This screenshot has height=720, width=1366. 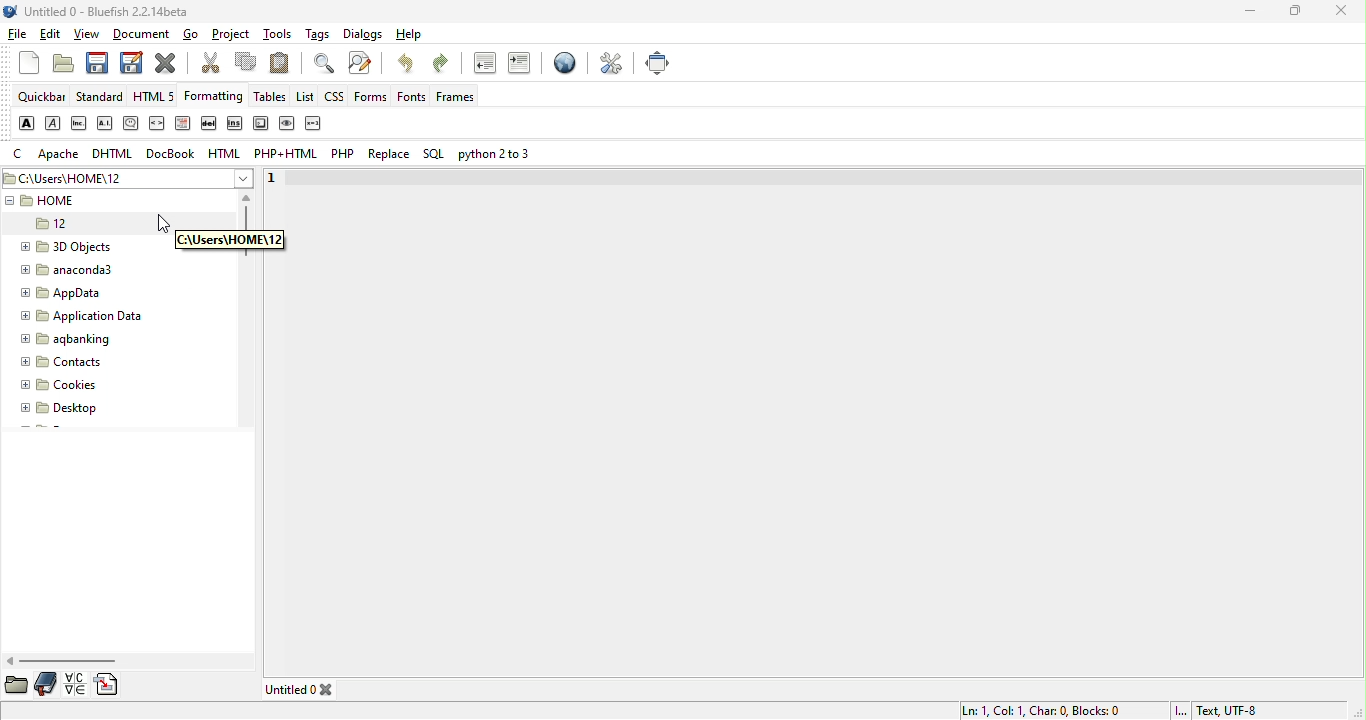 What do you see at coordinates (69, 201) in the screenshot?
I see `home` at bounding box center [69, 201].